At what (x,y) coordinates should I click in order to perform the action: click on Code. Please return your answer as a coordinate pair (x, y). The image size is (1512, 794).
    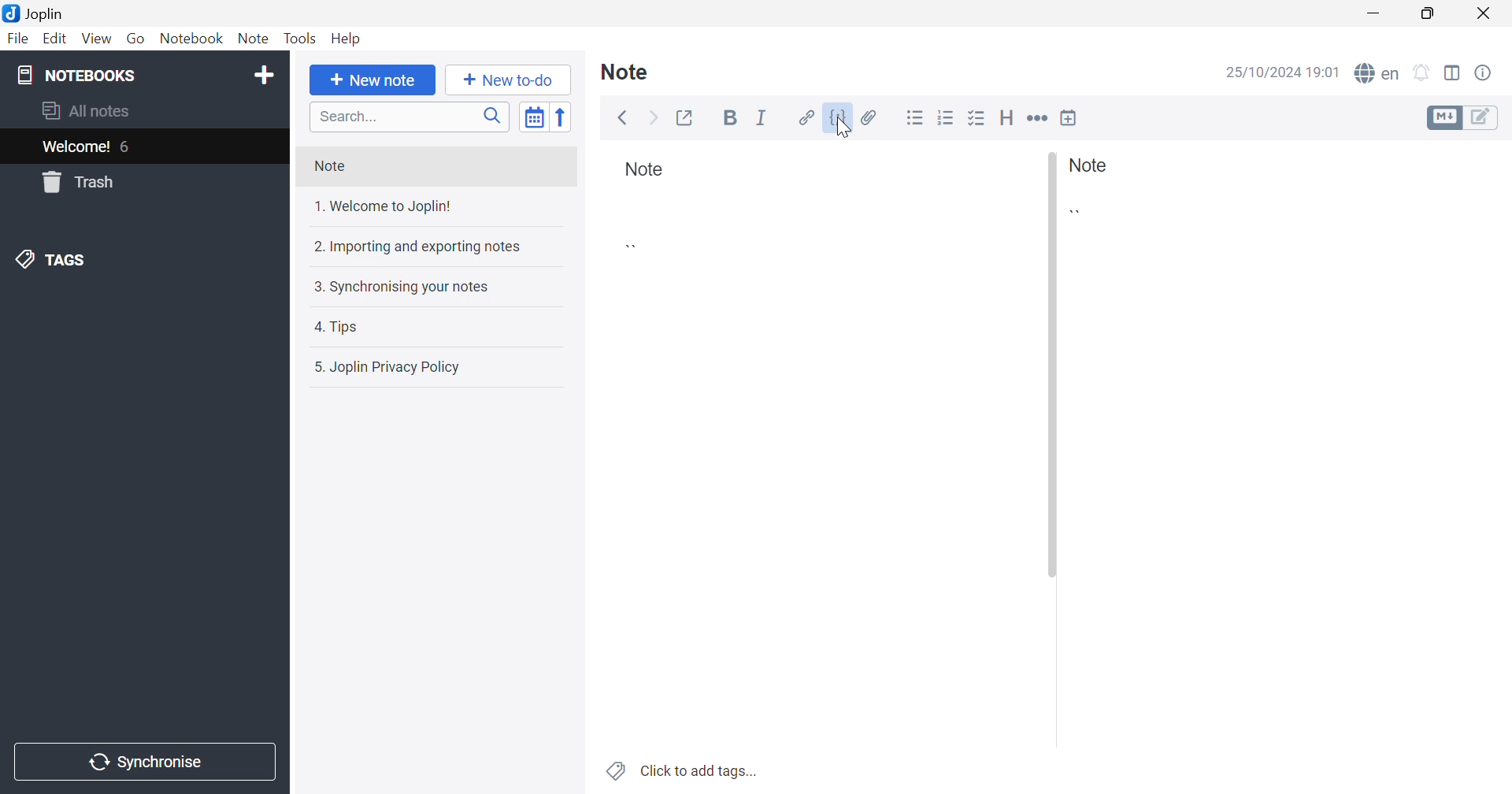
    Looking at the image, I should click on (839, 118).